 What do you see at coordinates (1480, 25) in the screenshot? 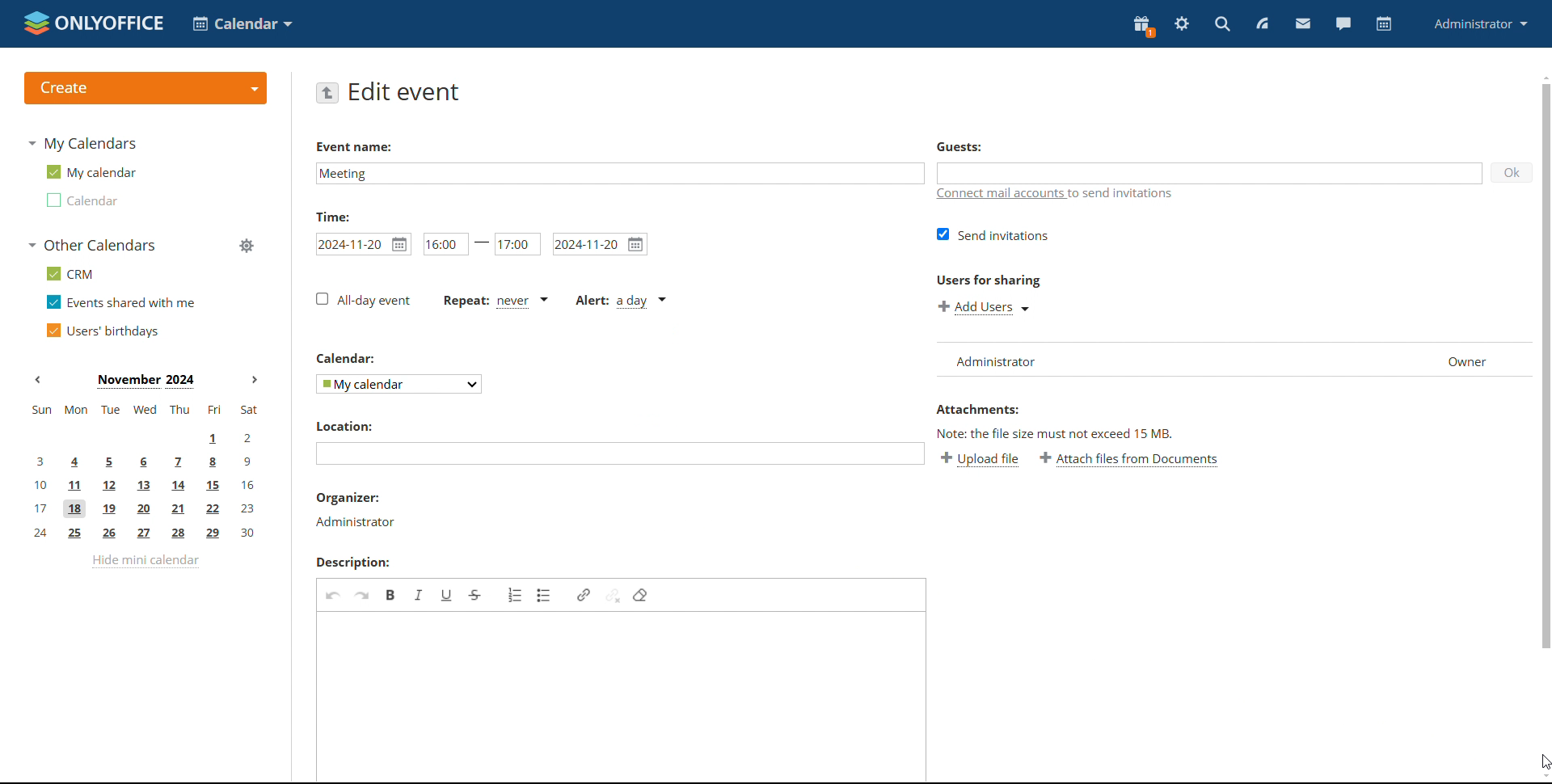
I see `profile` at bounding box center [1480, 25].